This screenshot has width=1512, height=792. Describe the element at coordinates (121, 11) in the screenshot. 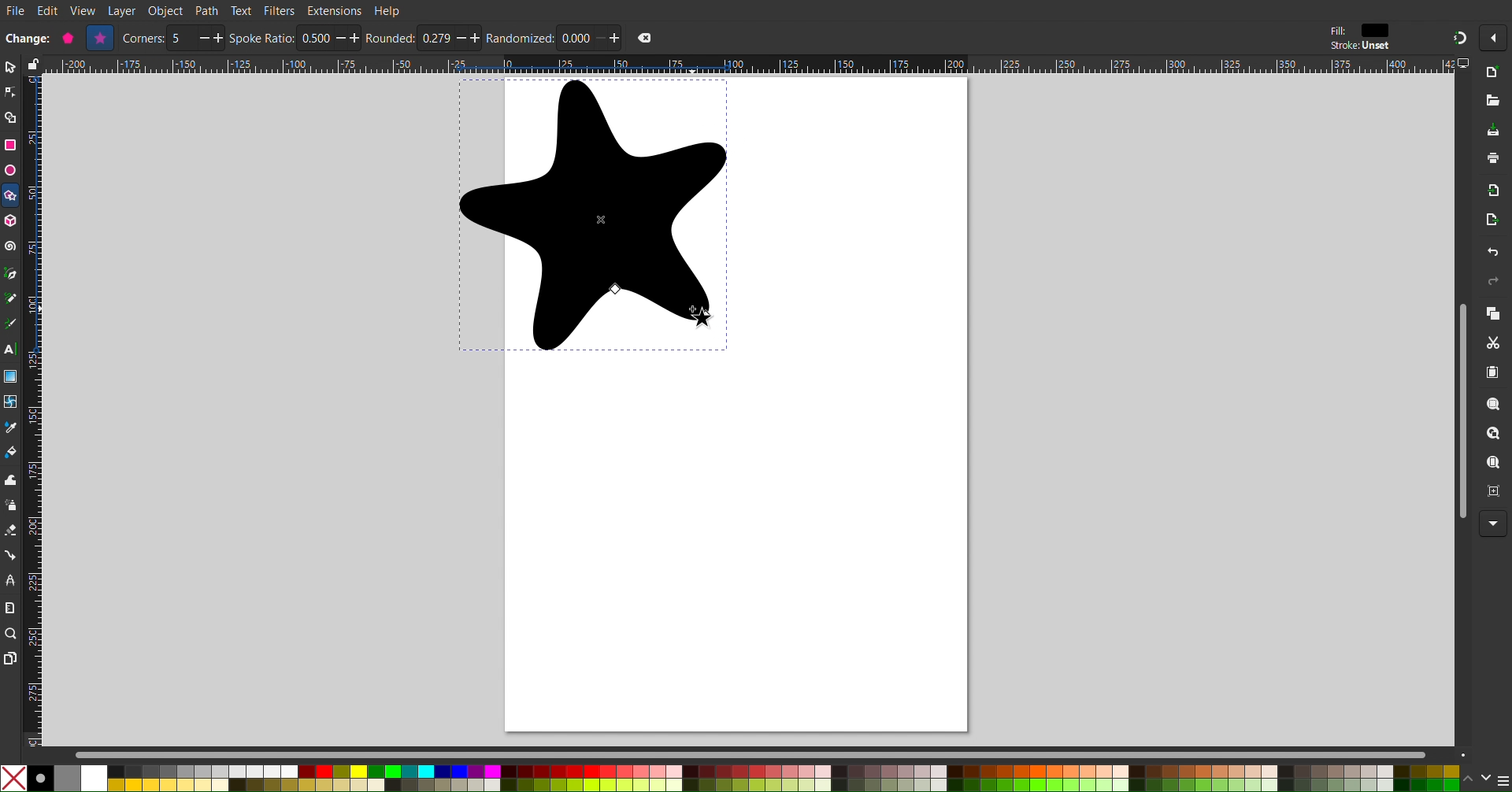

I see `Layer` at that location.